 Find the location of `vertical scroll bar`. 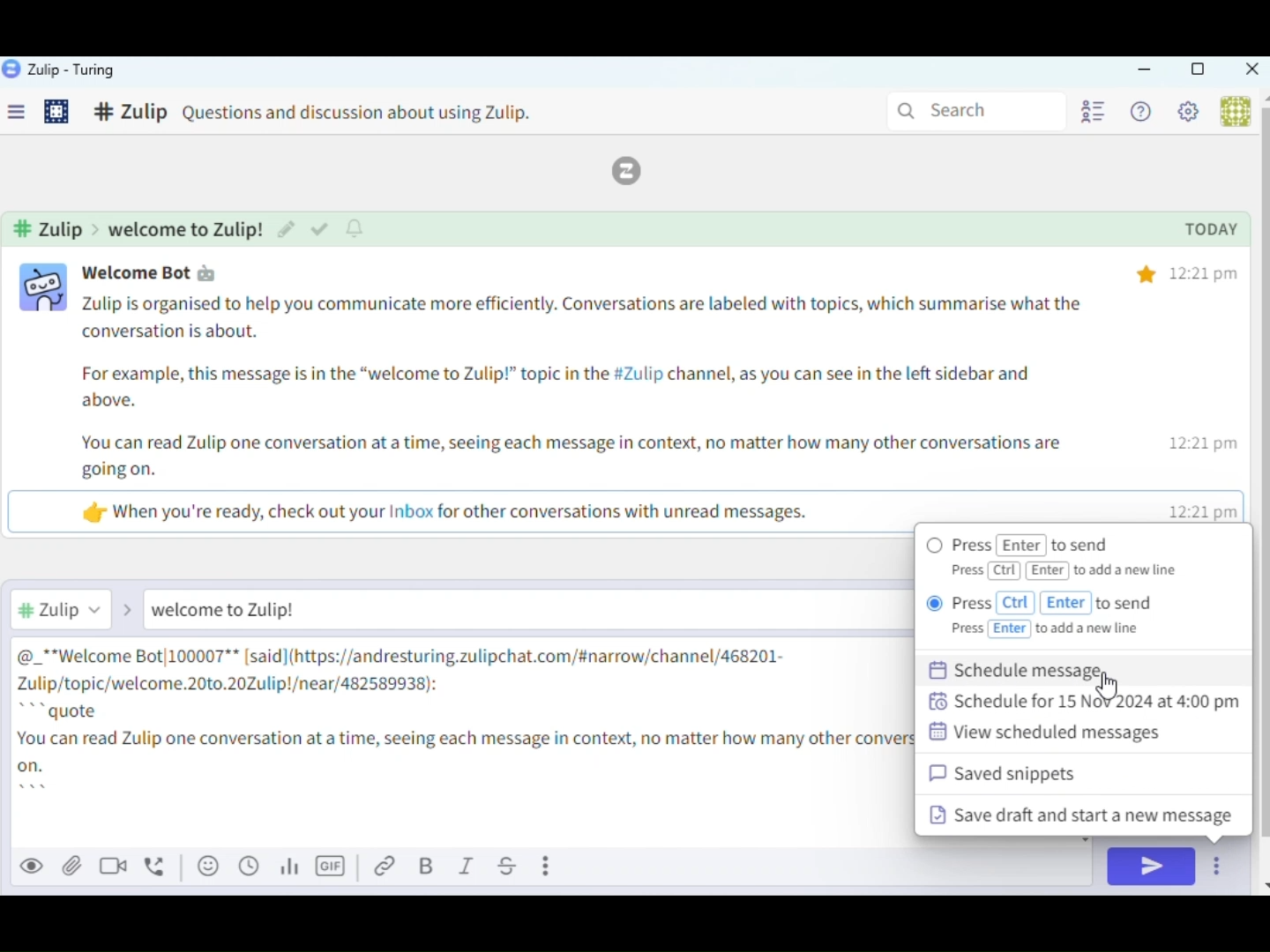

vertical scroll bar is located at coordinates (1262, 473).